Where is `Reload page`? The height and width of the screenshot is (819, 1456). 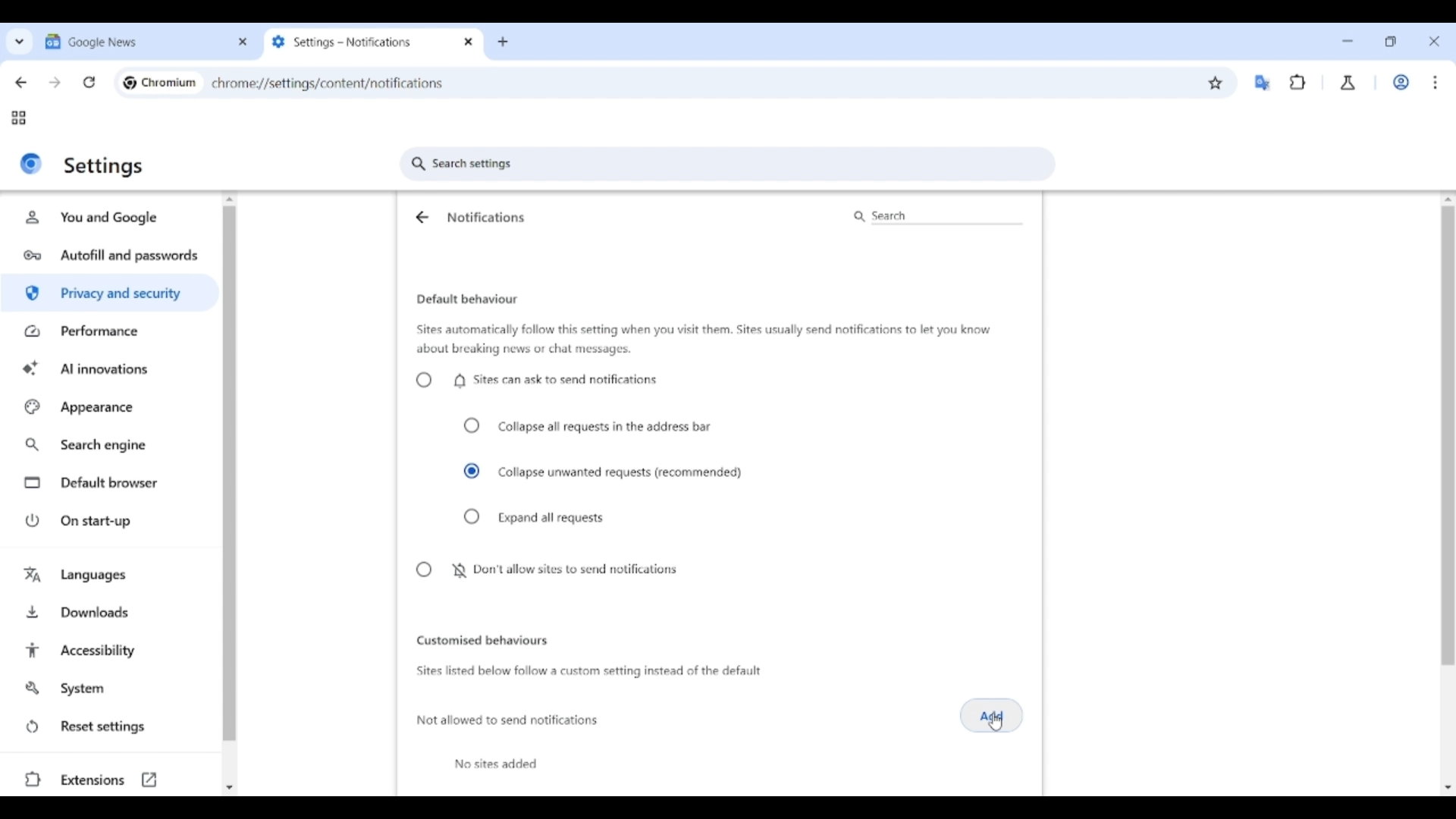
Reload page is located at coordinates (89, 82).